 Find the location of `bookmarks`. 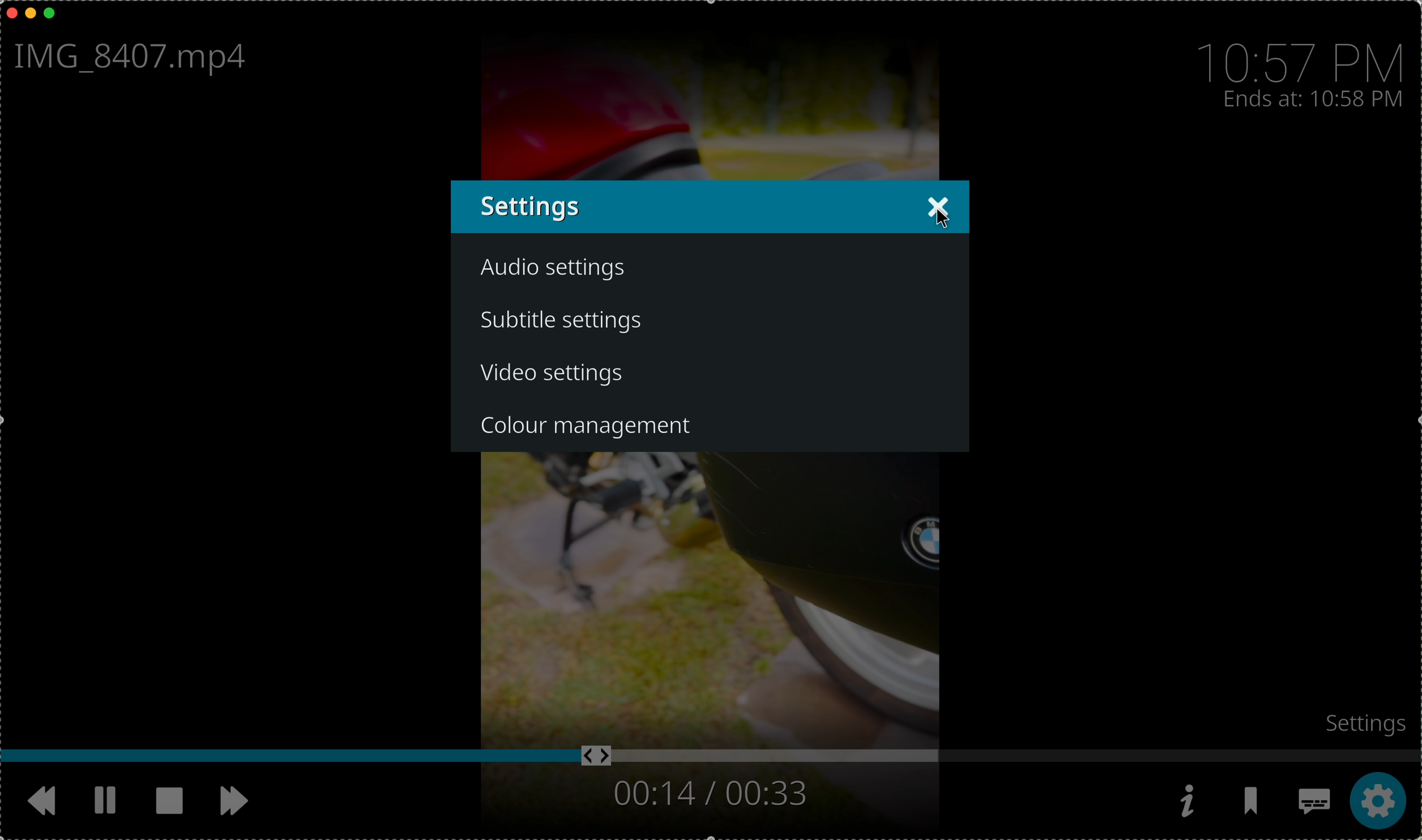

bookmarks is located at coordinates (1253, 803).